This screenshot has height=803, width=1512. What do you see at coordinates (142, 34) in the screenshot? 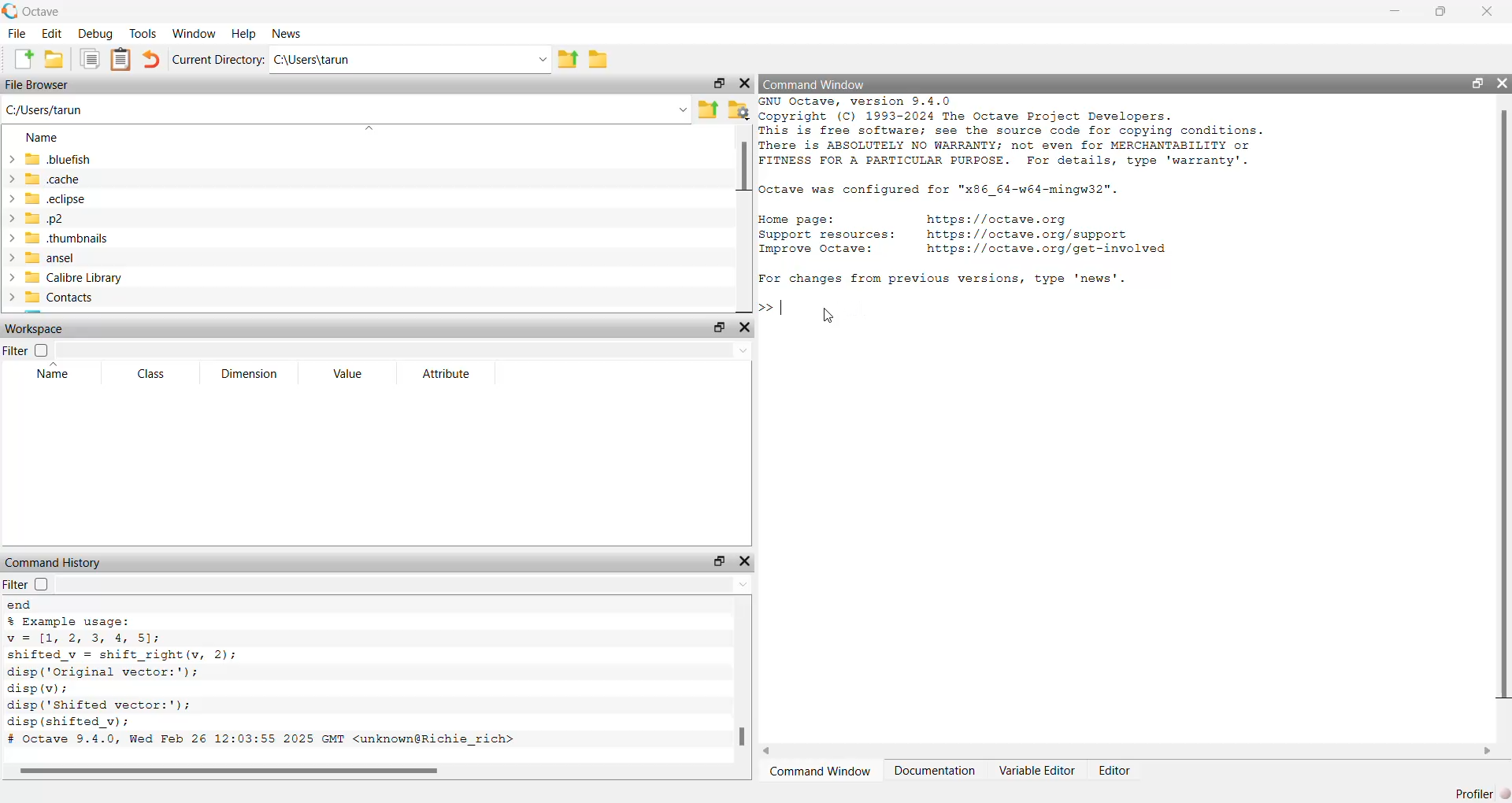
I see `tools` at bounding box center [142, 34].